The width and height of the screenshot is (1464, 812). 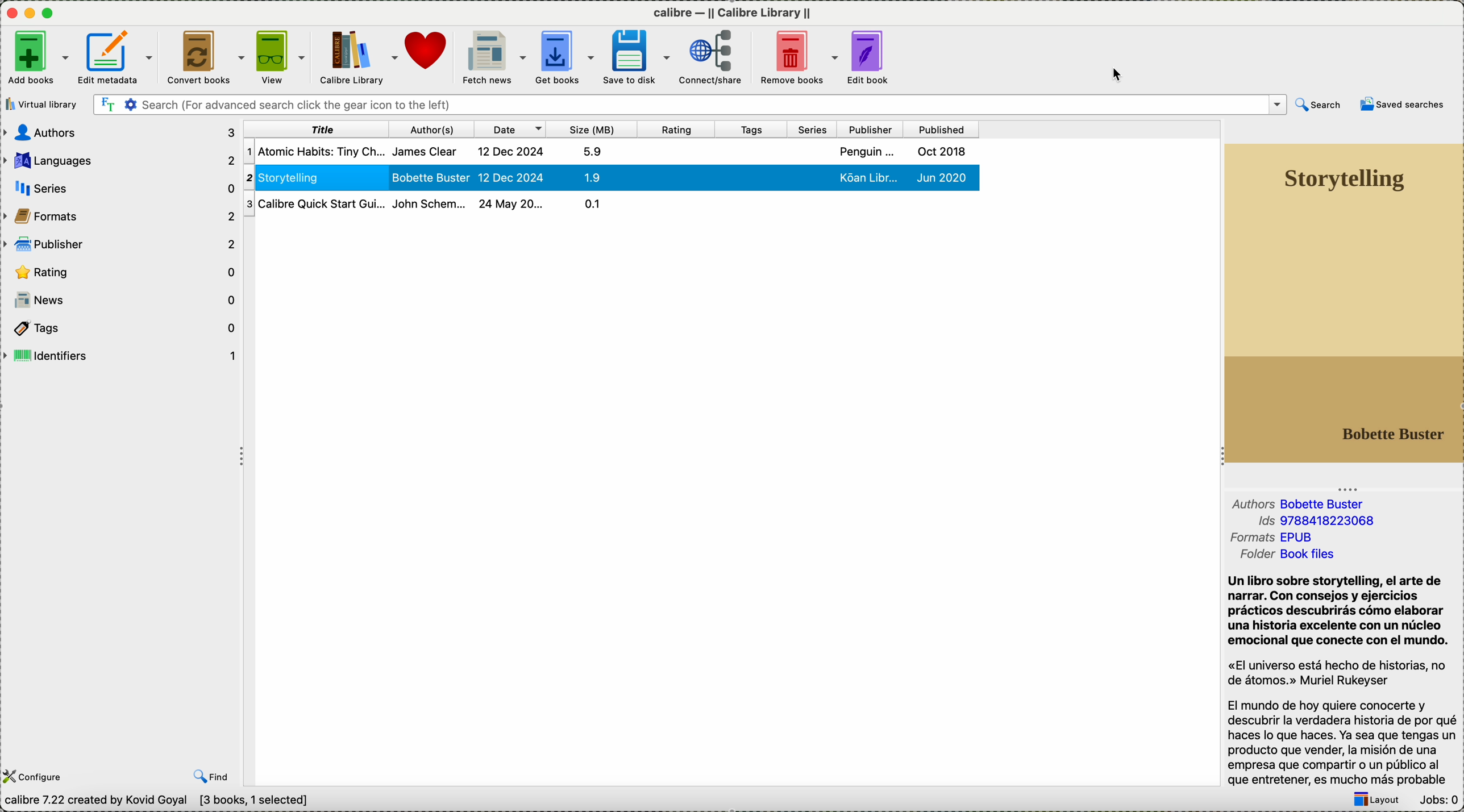 What do you see at coordinates (512, 130) in the screenshot?
I see `date` at bounding box center [512, 130].